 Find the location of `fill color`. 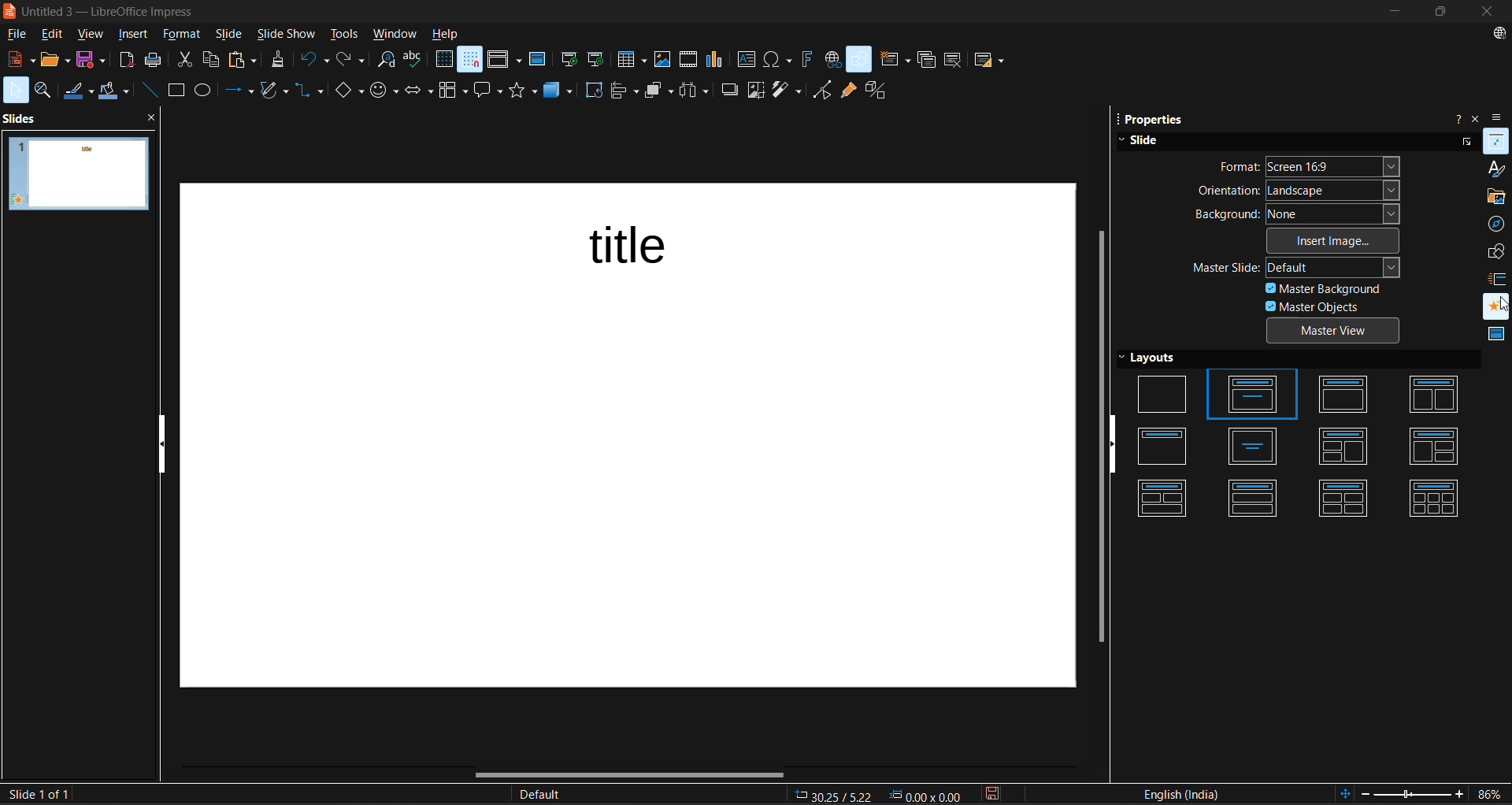

fill color is located at coordinates (116, 93).